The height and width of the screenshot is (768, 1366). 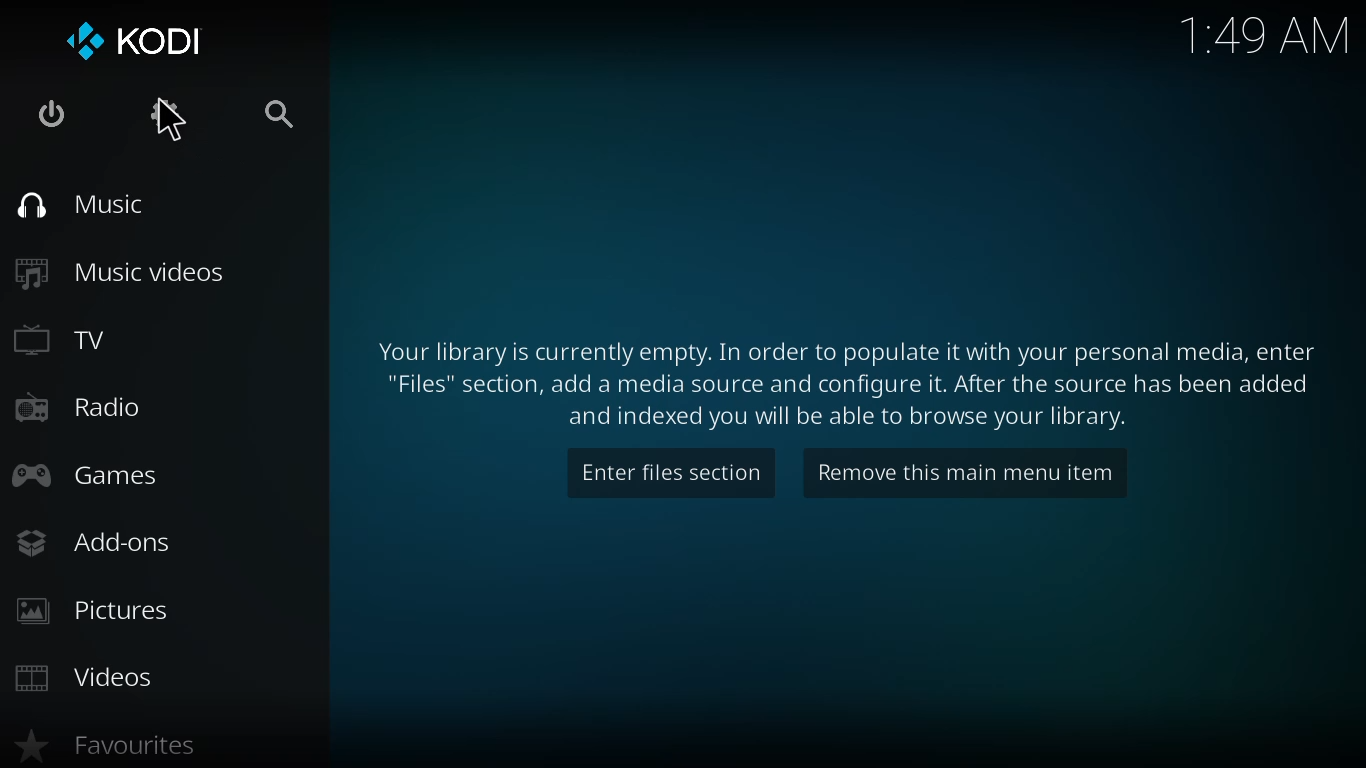 I want to click on settings, so click(x=162, y=113).